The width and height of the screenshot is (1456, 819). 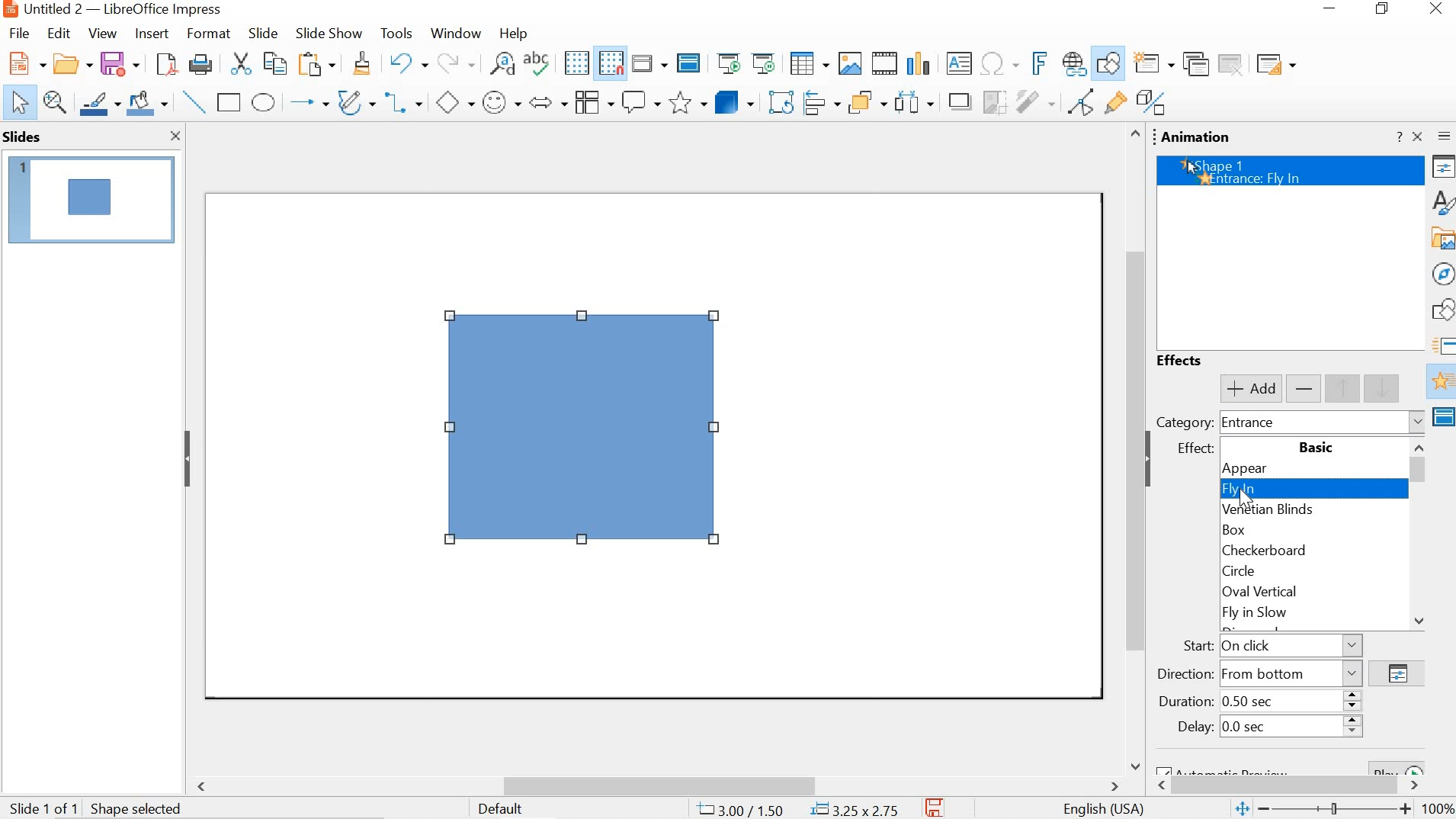 What do you see at coordinates (166, 65) in the screenshot?
I see `save as pdf` at bounding box center [166, 65].